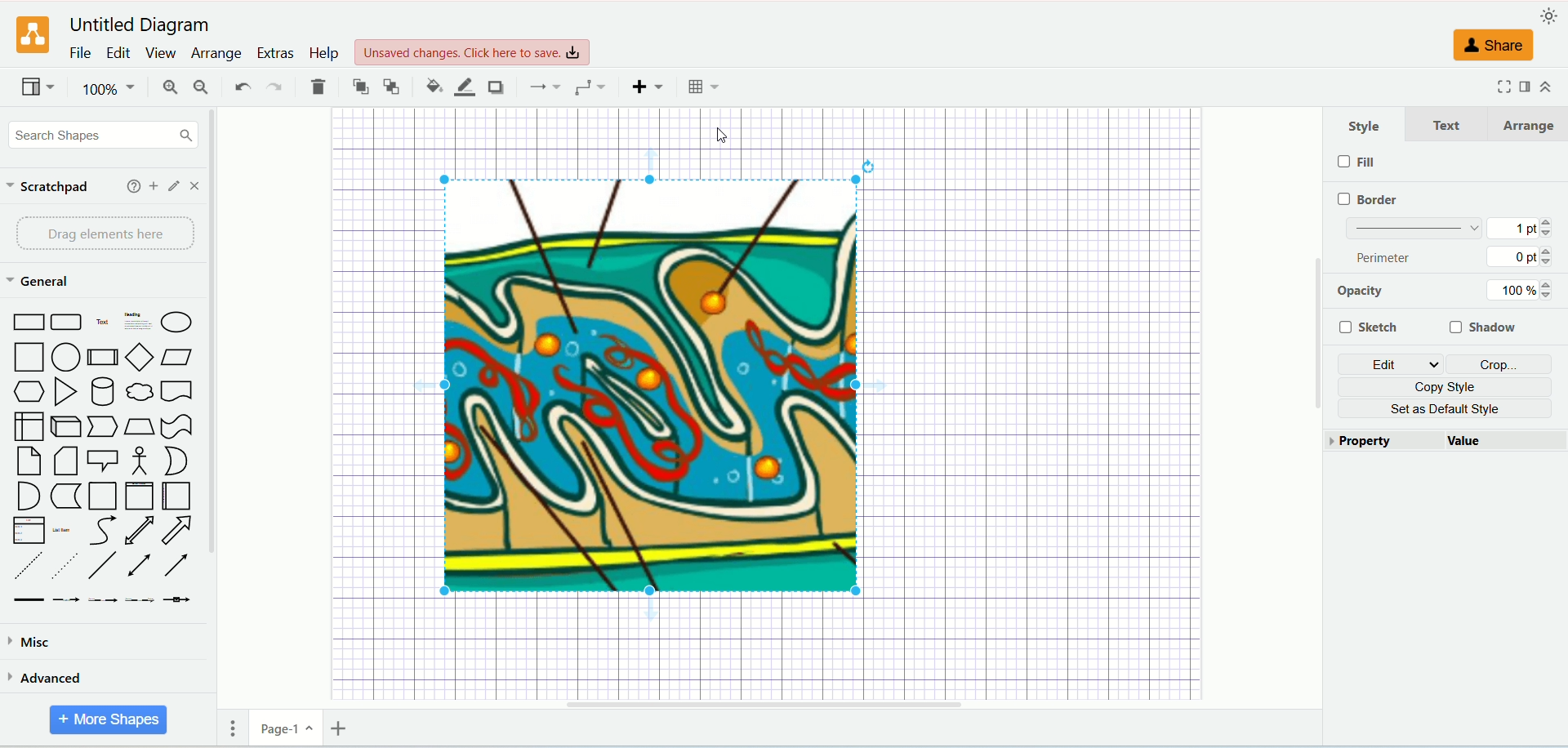 The height and width of the screenshot is (748, 1568). Describe the element at coordinates (648, 87) in the screenshot. I see `insert` at that location.